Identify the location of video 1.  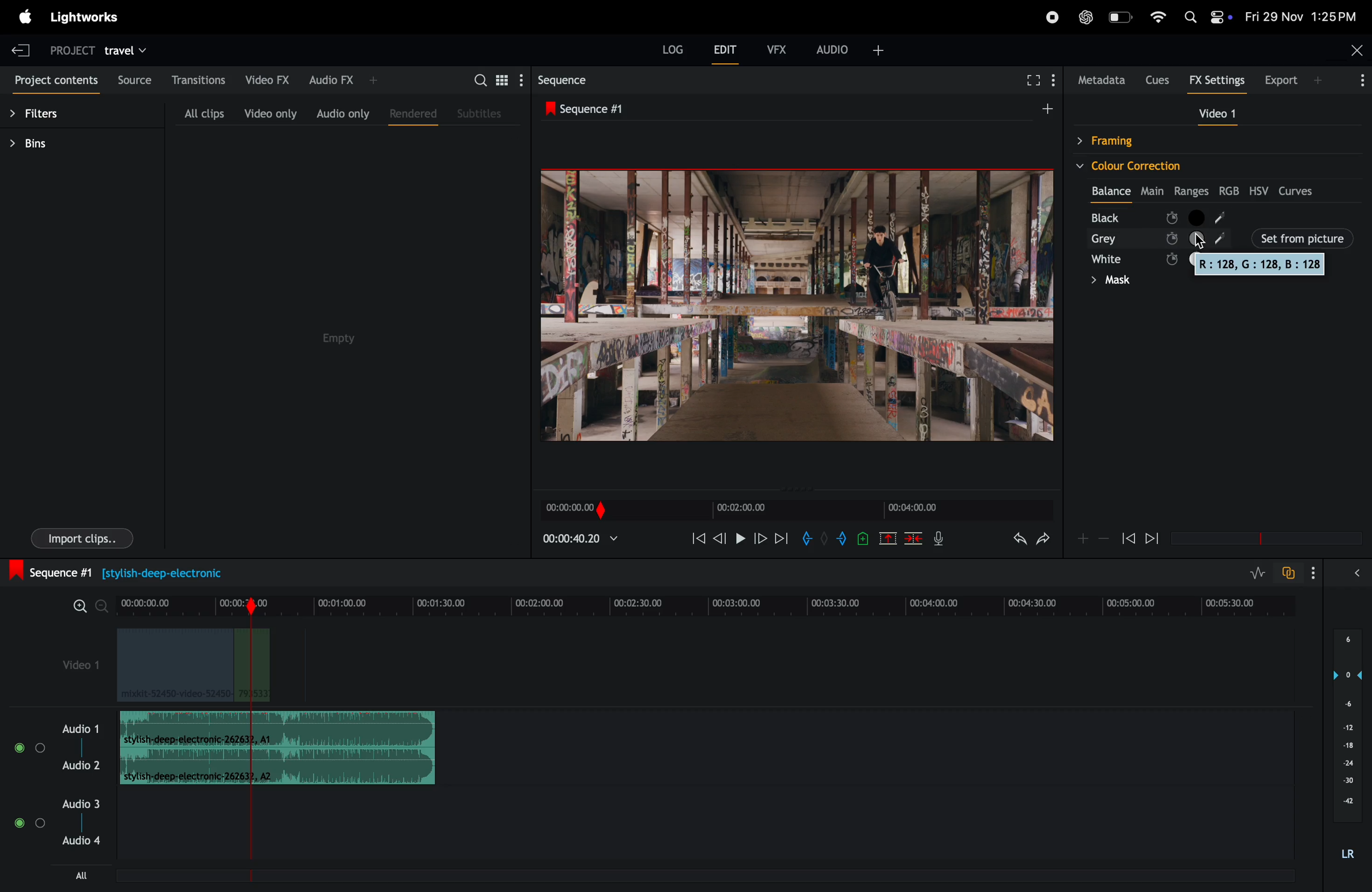
(1213, 113).